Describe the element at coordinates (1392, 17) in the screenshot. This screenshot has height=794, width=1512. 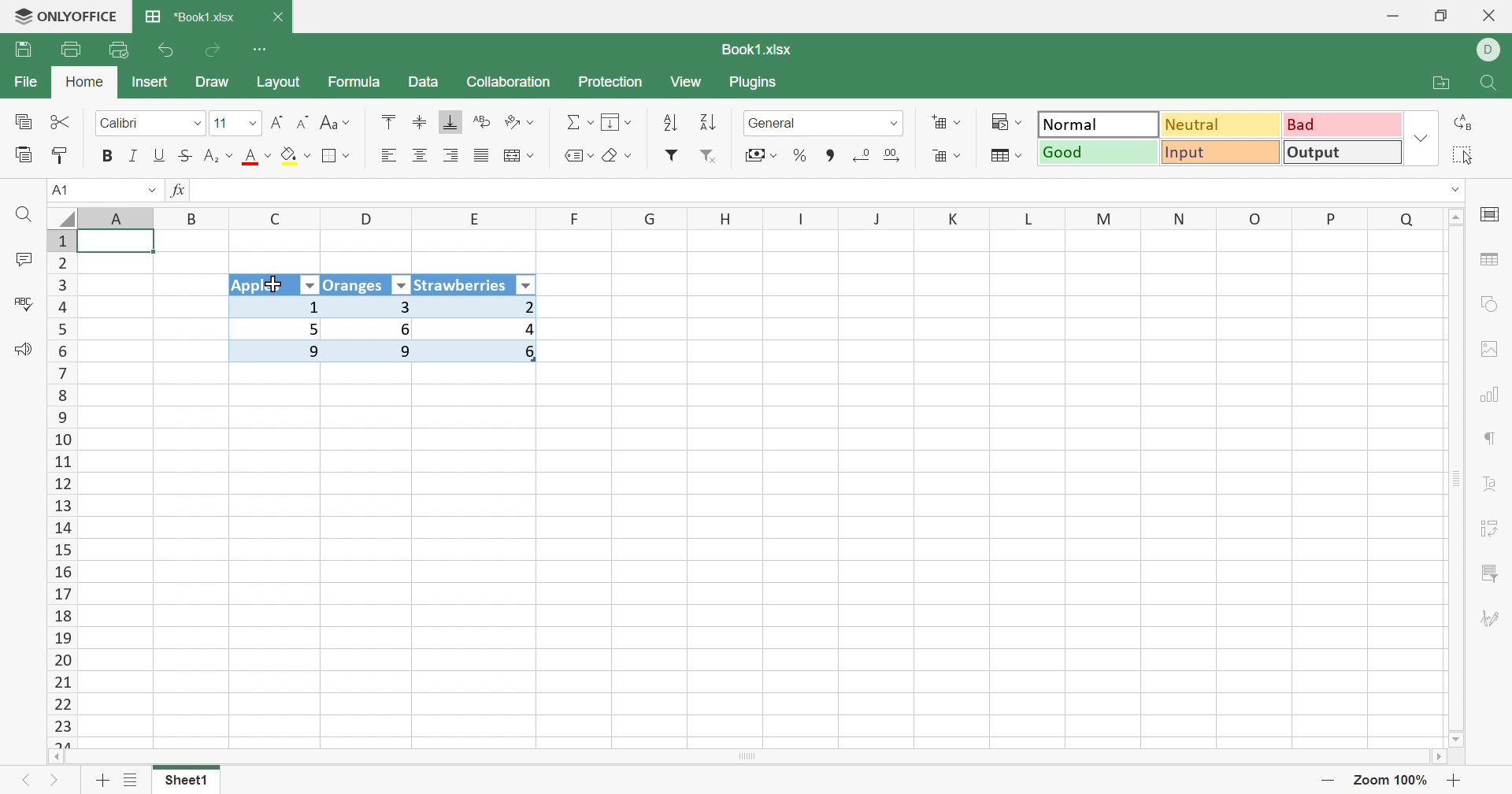
I see `Minimize` at that location.